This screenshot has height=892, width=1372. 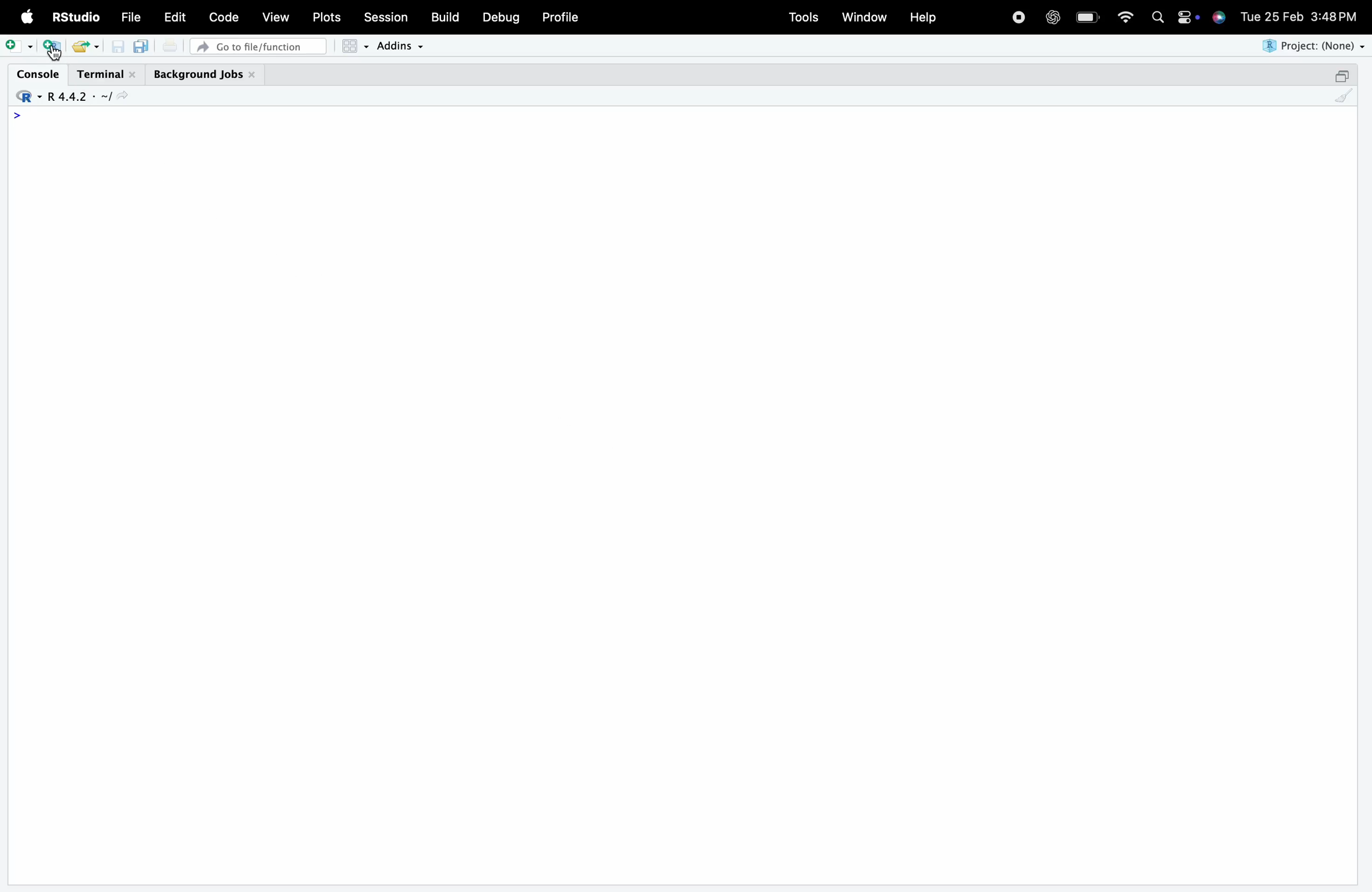 I want to click on Build, so click(x=444, y=17).